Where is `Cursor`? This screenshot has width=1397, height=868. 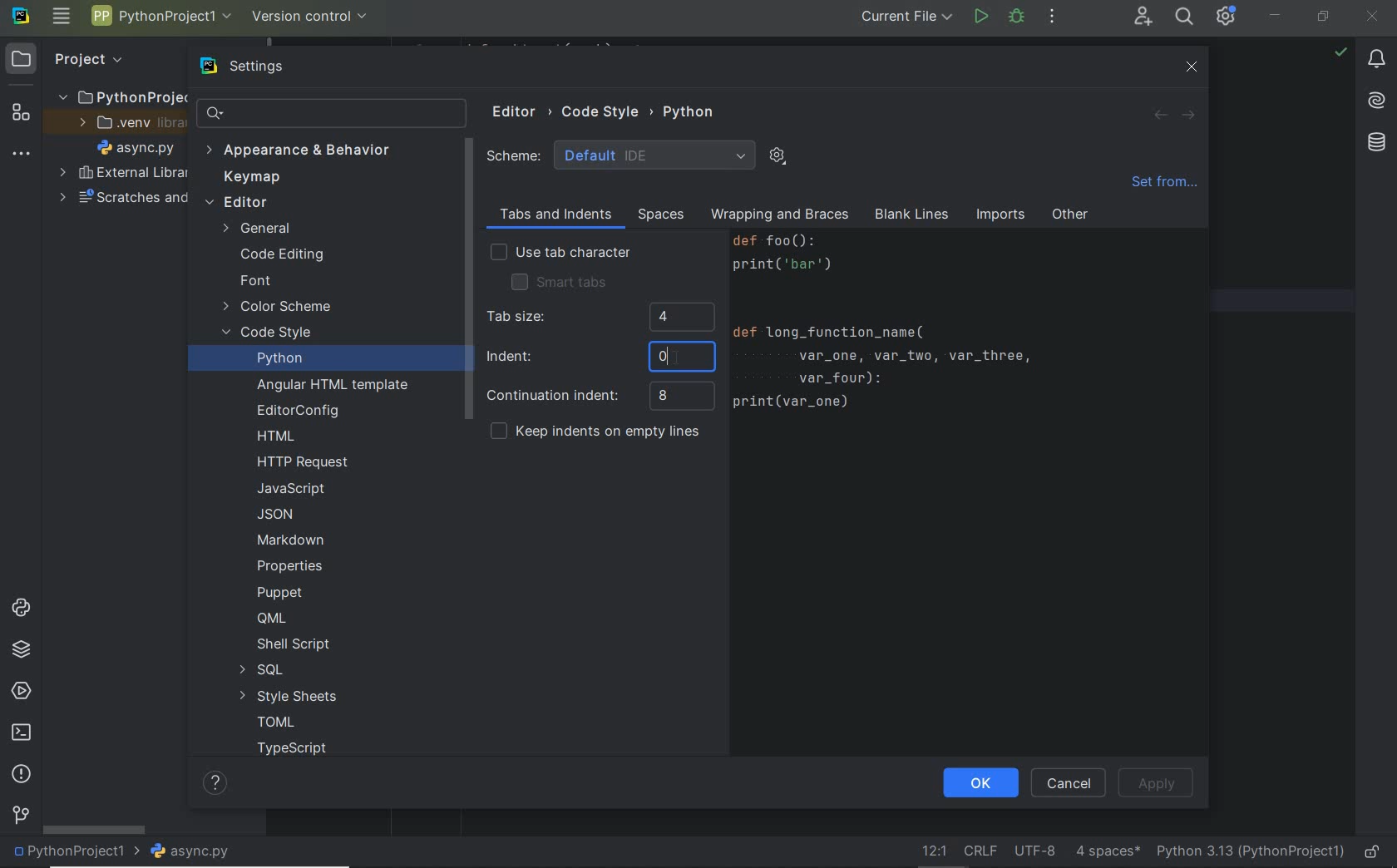
Cursor is located at coordinates (673, 358).